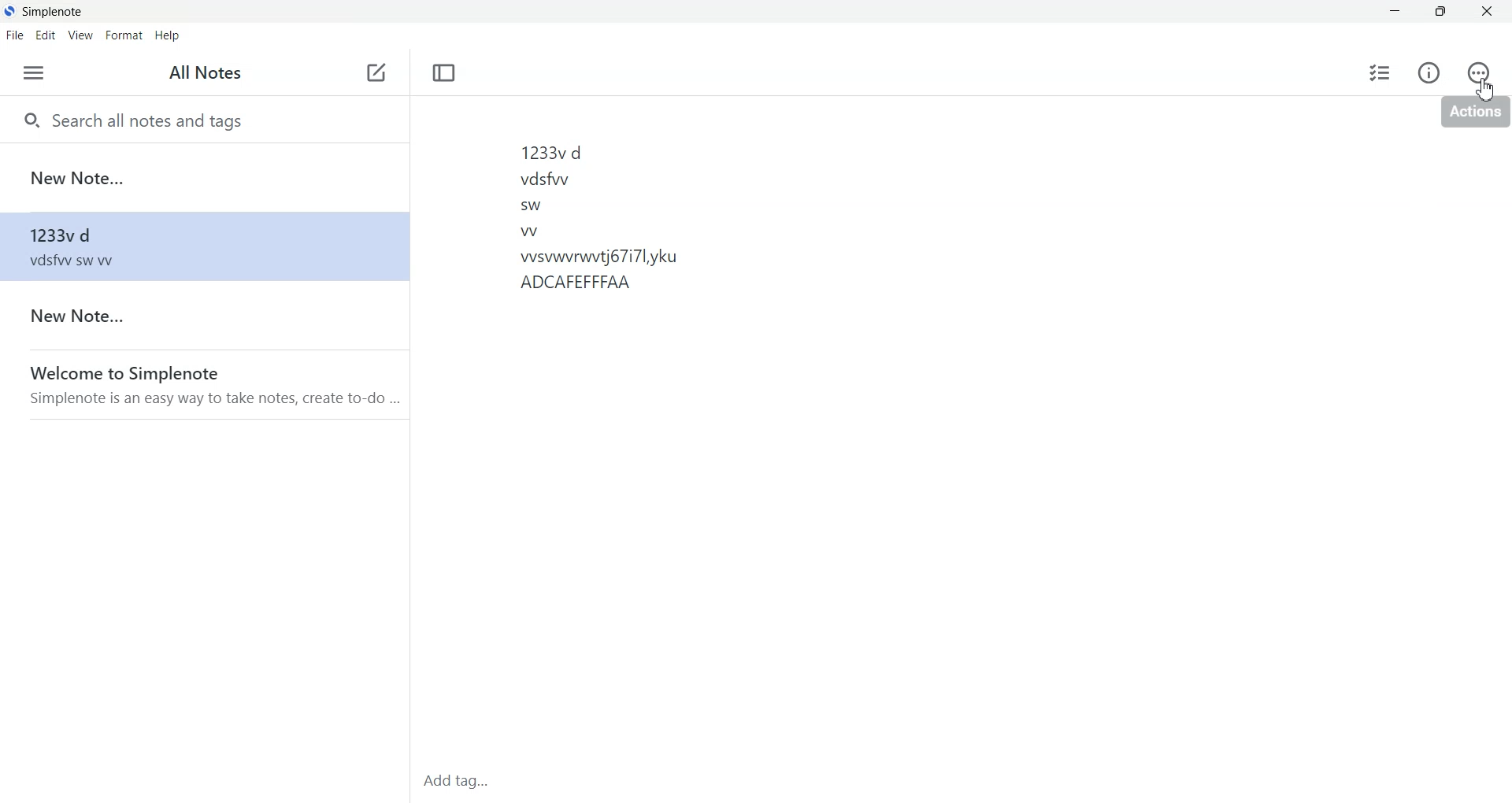 This screenshot has height=803, width=1512. What do you see at coordinates (80, 35) in the screenshot?
I see `View` at bounding box center [80, 35].